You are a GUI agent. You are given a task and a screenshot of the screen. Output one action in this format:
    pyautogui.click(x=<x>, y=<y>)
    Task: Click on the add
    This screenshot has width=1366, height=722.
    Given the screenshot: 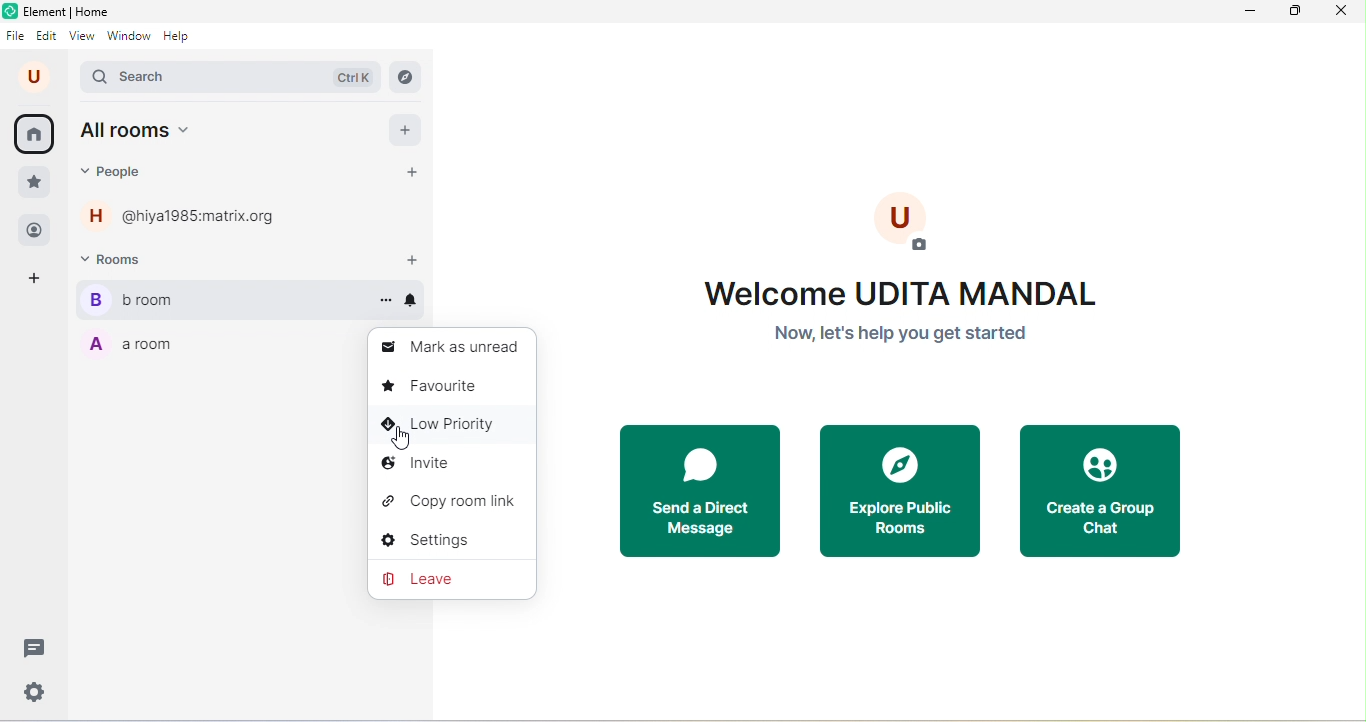 What is the action you would take?
    pyautogui.click(x=406, y=129)
    